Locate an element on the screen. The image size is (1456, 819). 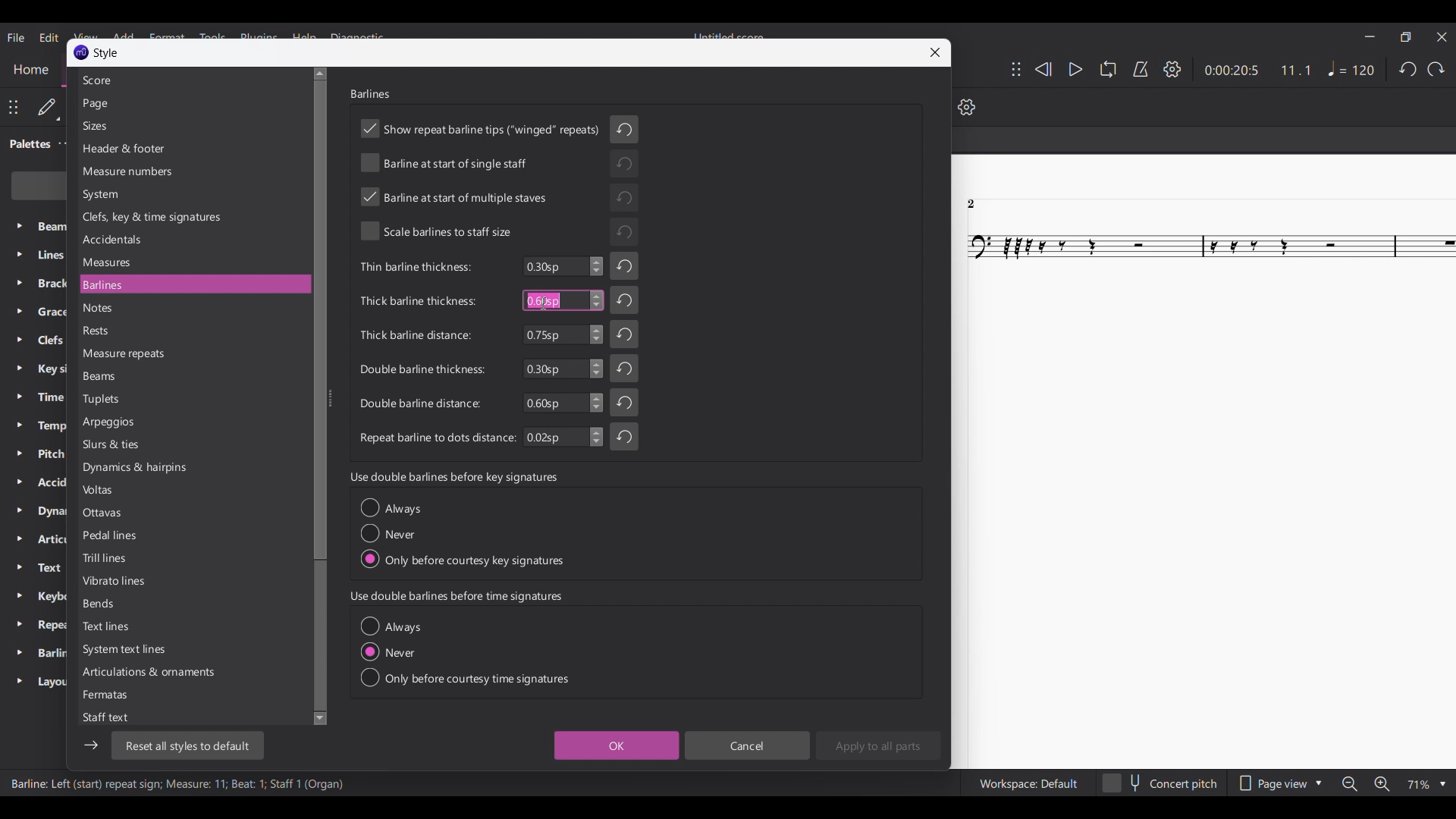
Current selection highlighted is located at coordinates (264, 284).